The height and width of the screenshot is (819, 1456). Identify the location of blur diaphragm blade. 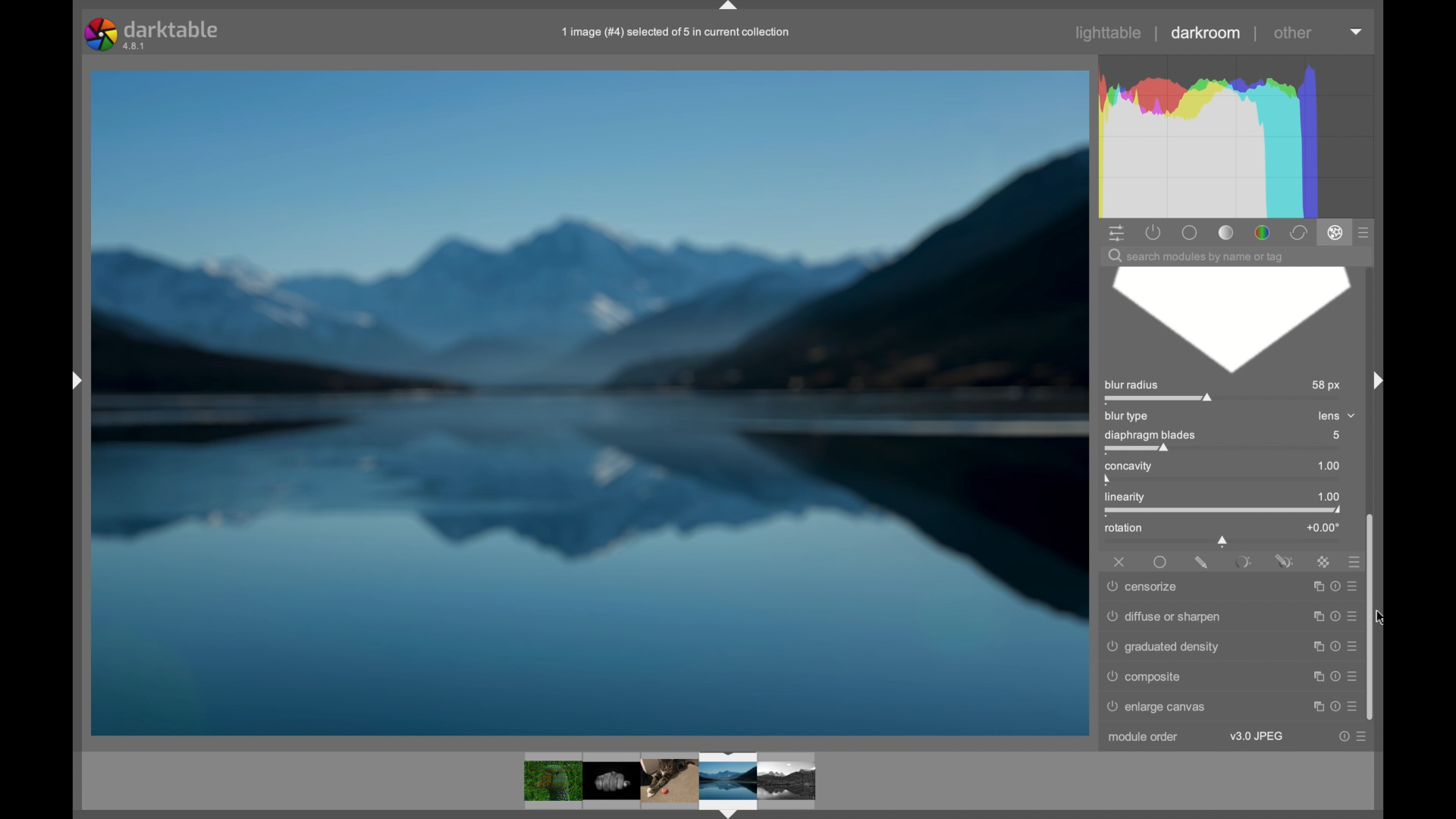
(1228, 321).